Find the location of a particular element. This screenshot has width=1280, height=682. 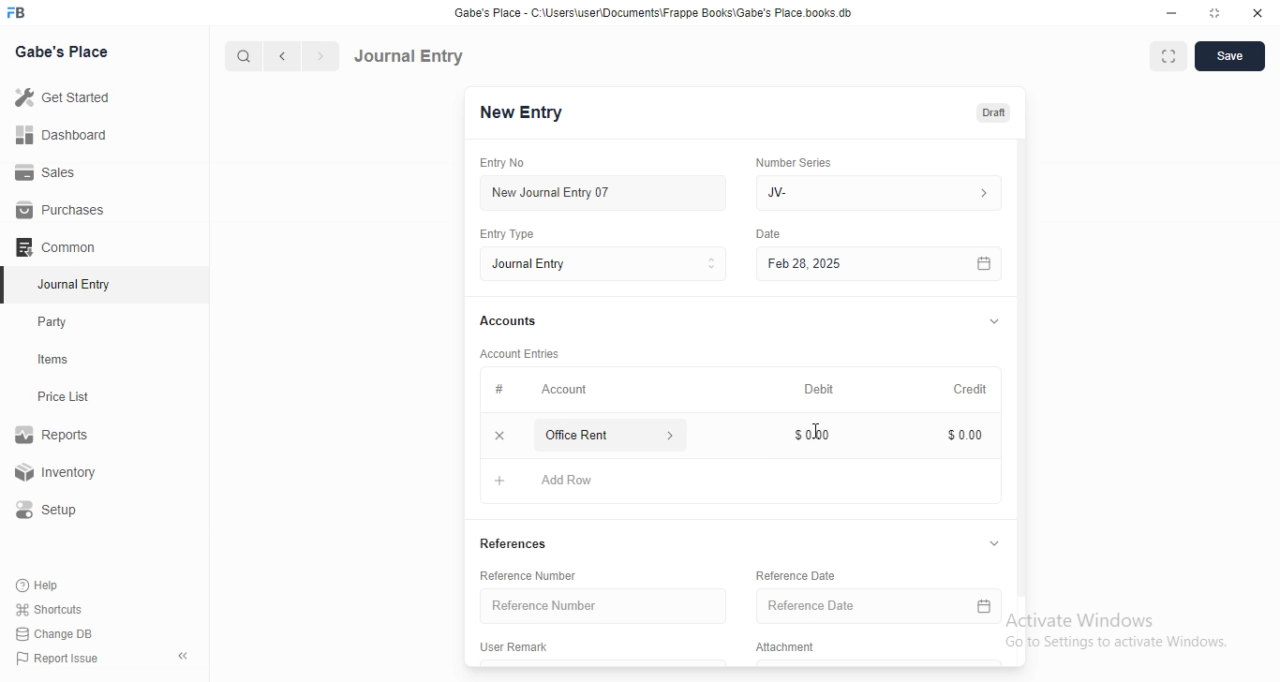

‘Reference Date is located at coordinates (796, 578).